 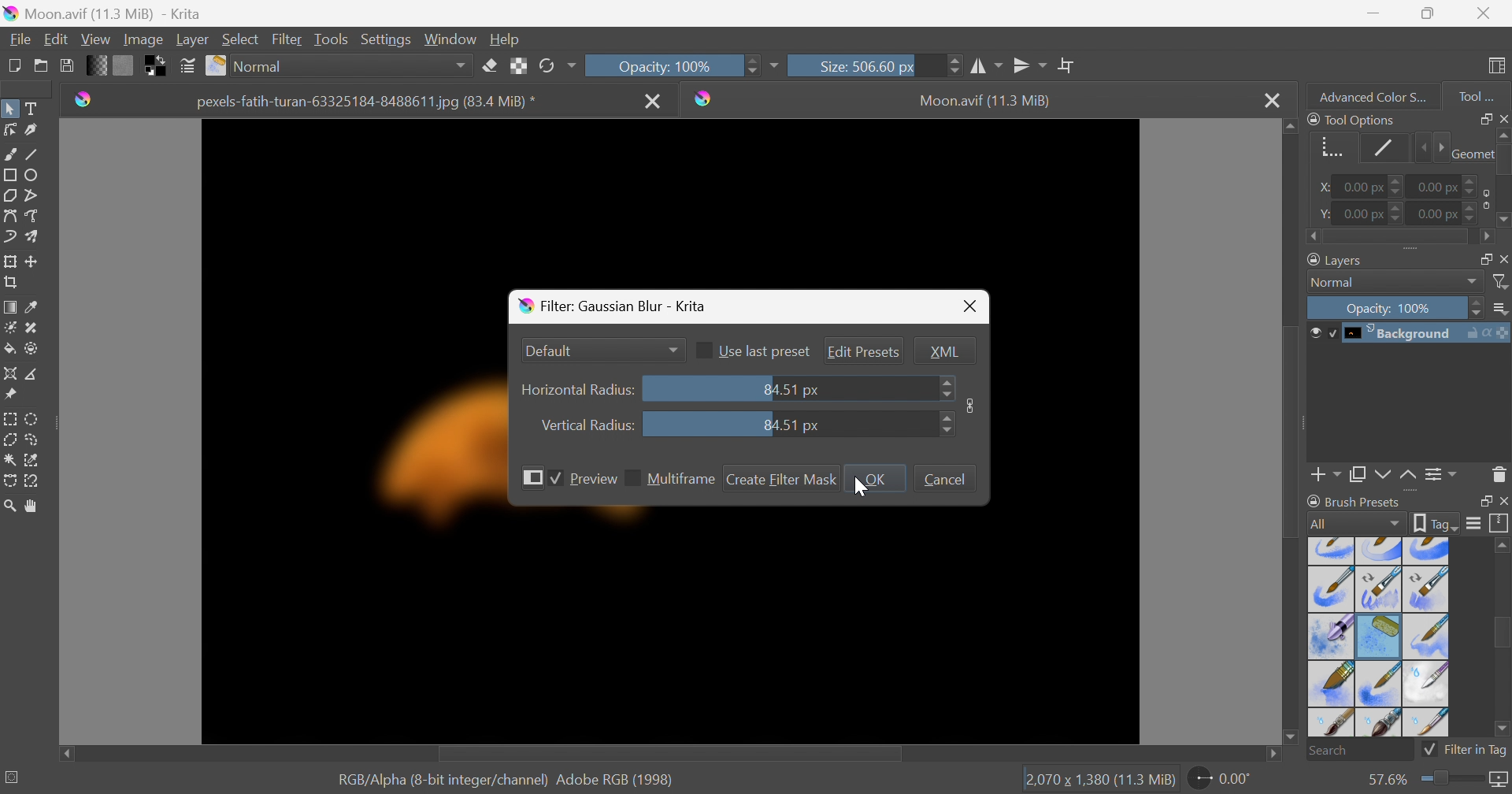 What do you see at coordinates (1428, 13) in the screenshot?
I see `Restore down` at bounding box center [1428, 13].